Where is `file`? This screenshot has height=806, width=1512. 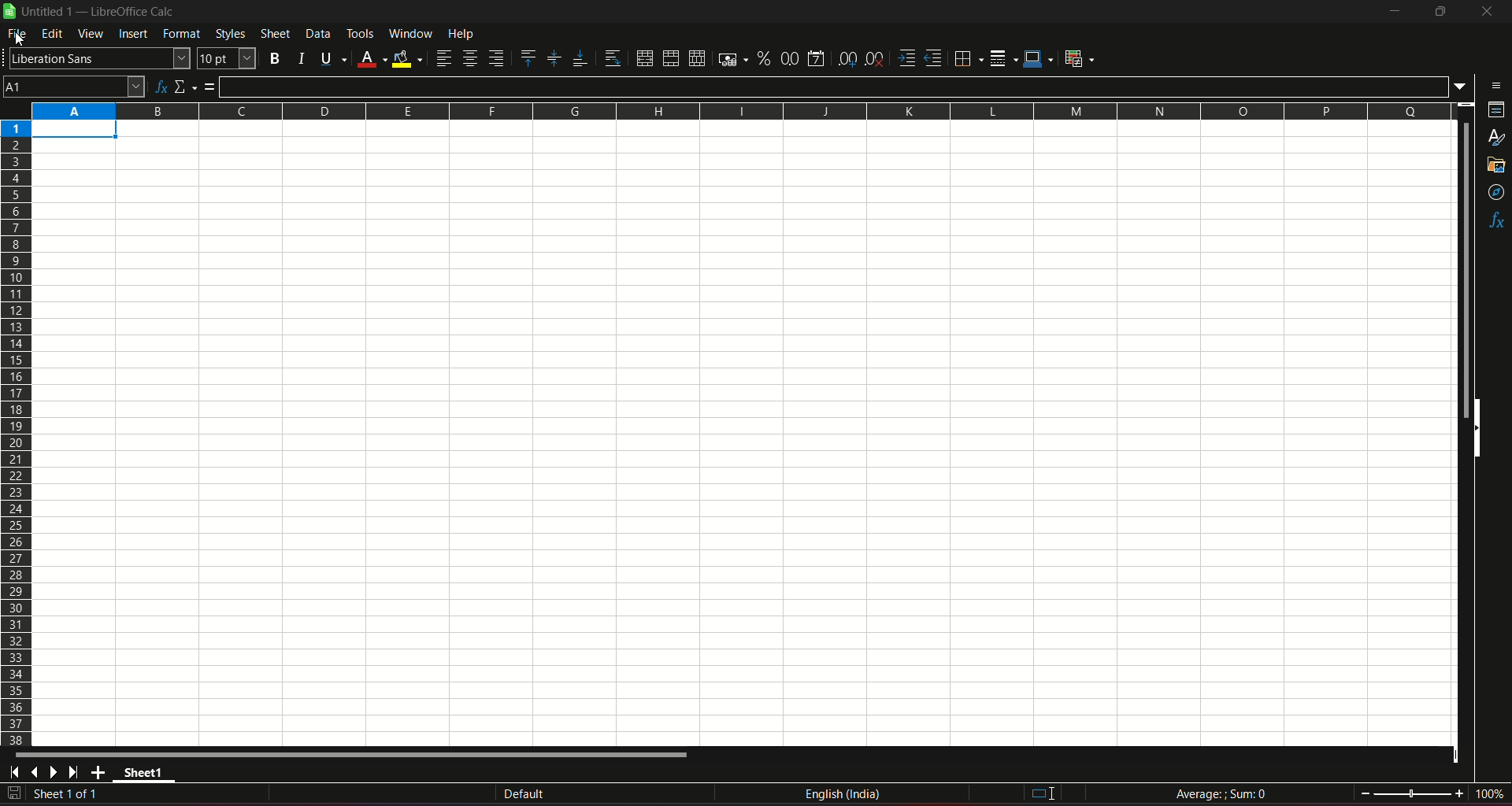 file is located at coordinates (18, 36).